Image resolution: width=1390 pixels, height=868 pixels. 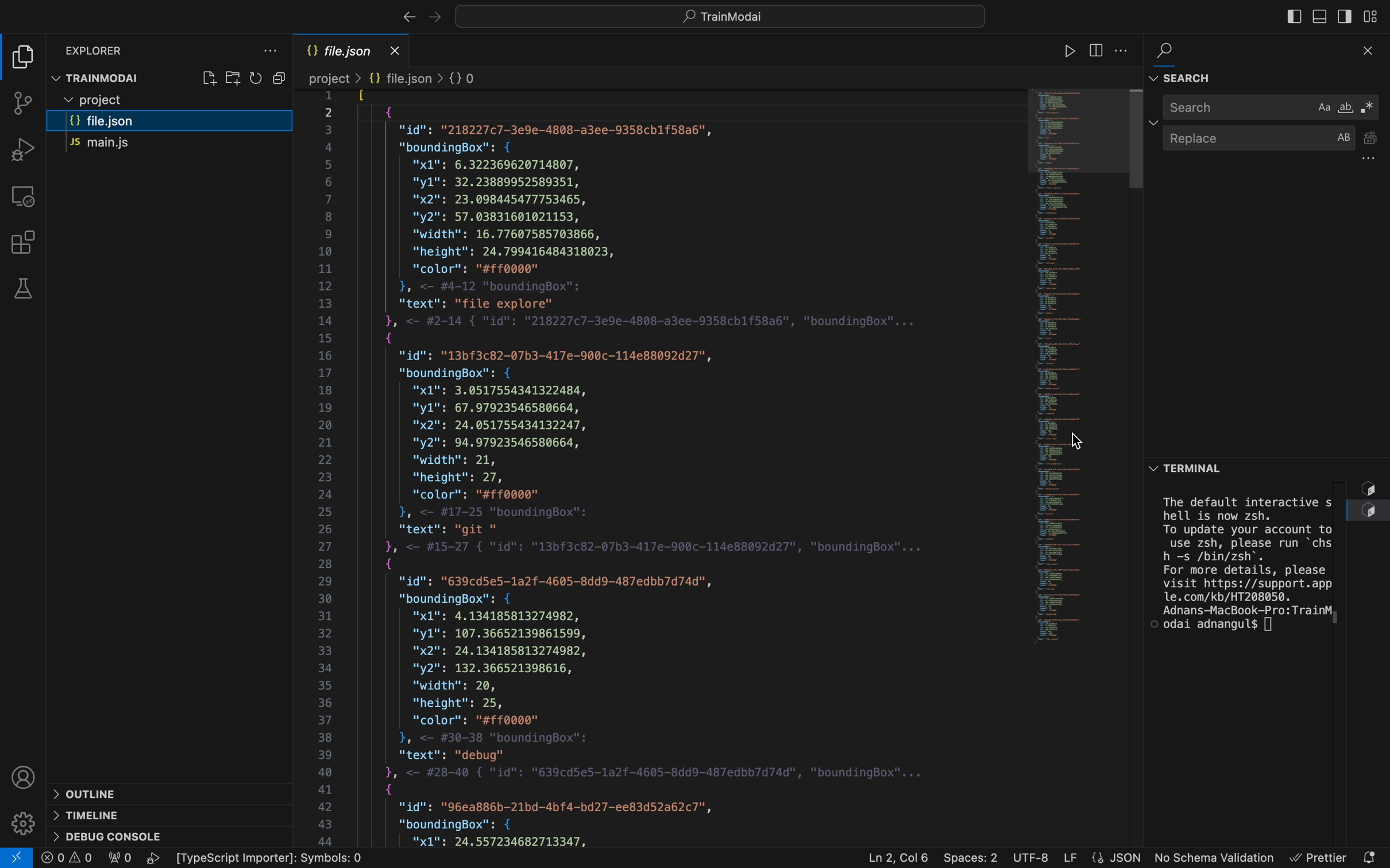 What do you see at coordinates (169, 100) in the screenshot?
I see `files and folders` at bounding box center [169, 100].